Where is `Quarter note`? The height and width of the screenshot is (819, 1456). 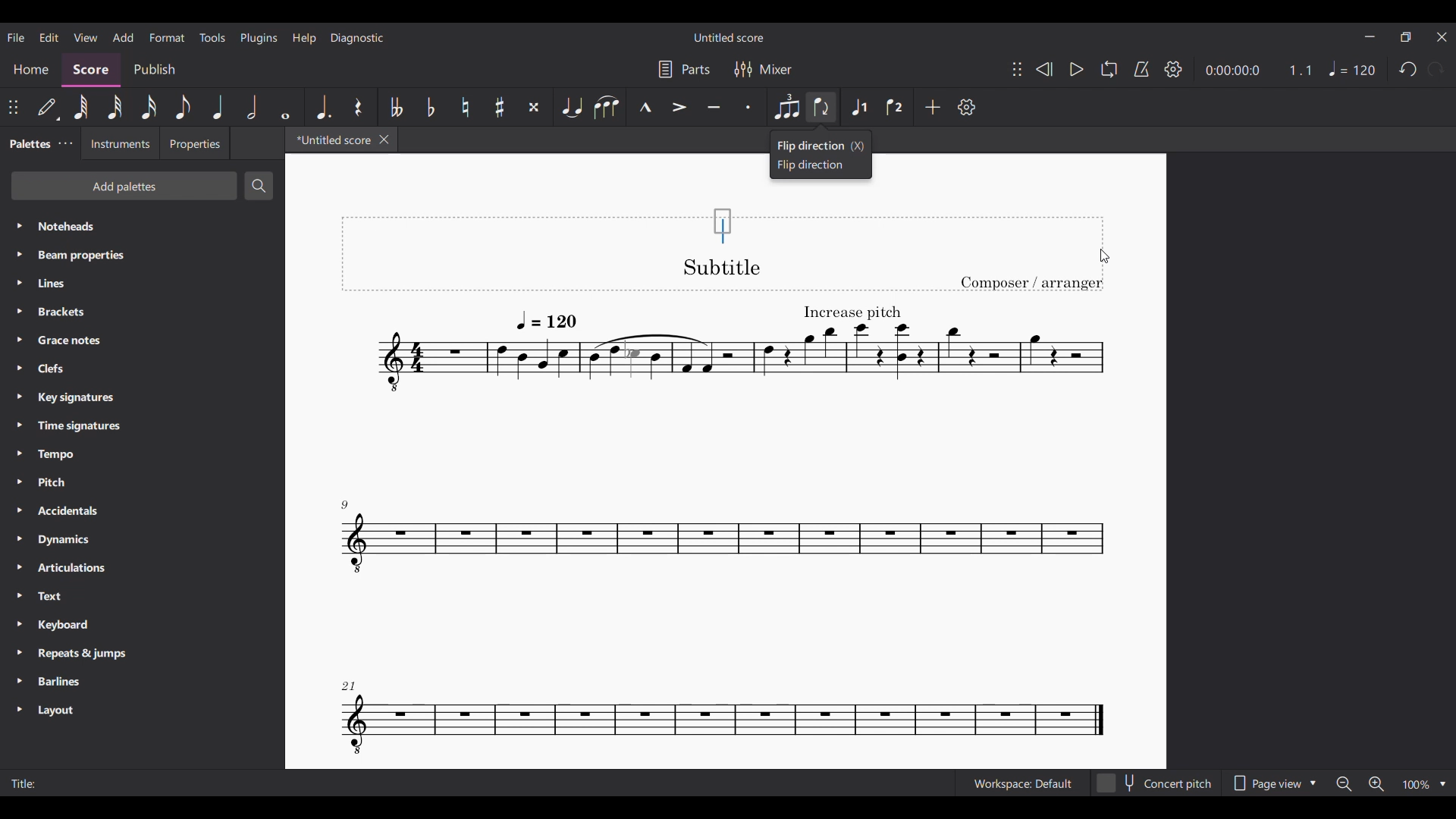
Quarter note is located at coordinates (218, 107).